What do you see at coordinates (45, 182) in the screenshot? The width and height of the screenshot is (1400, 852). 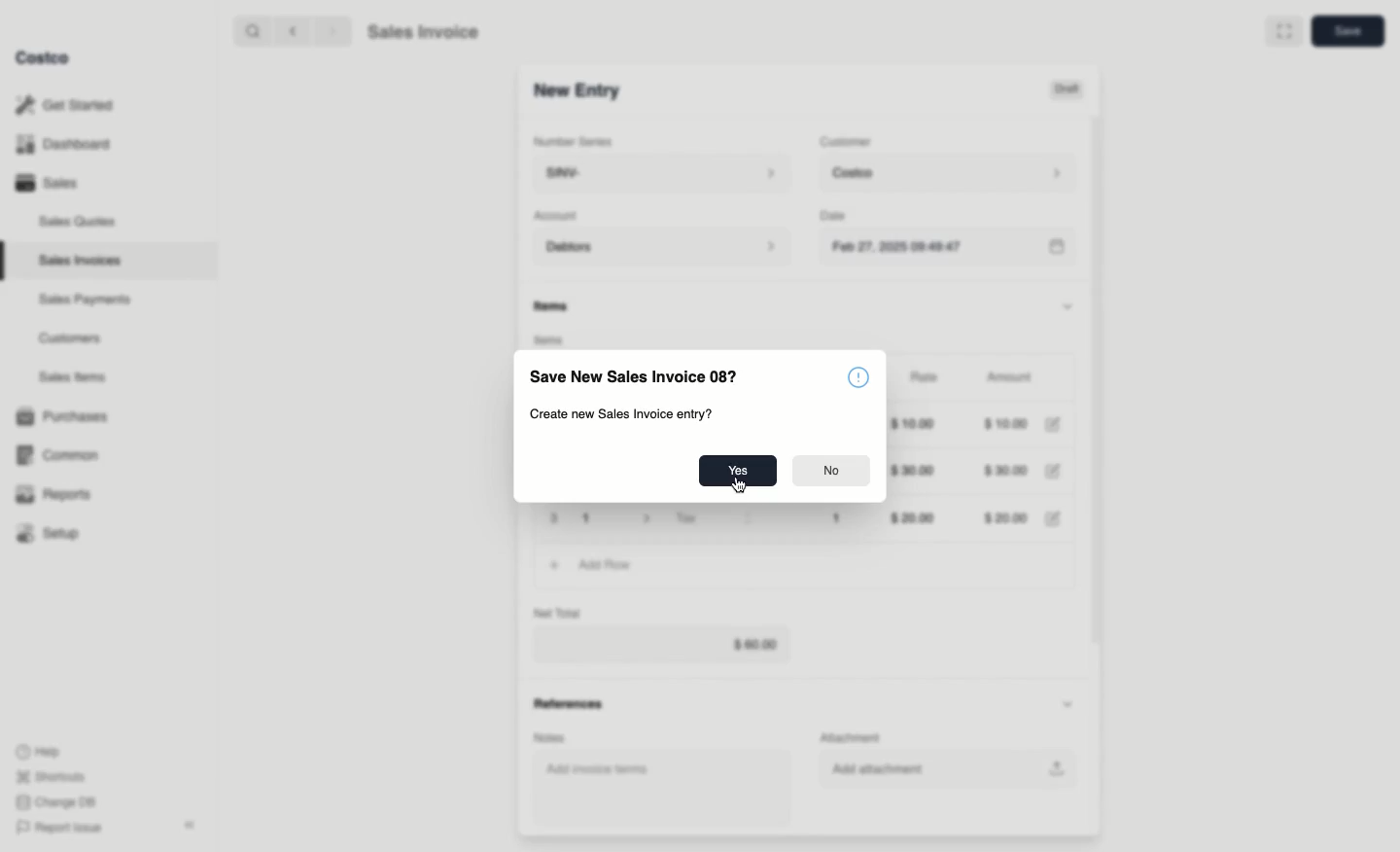 I see `Sales` at bounding box center [45, 182].